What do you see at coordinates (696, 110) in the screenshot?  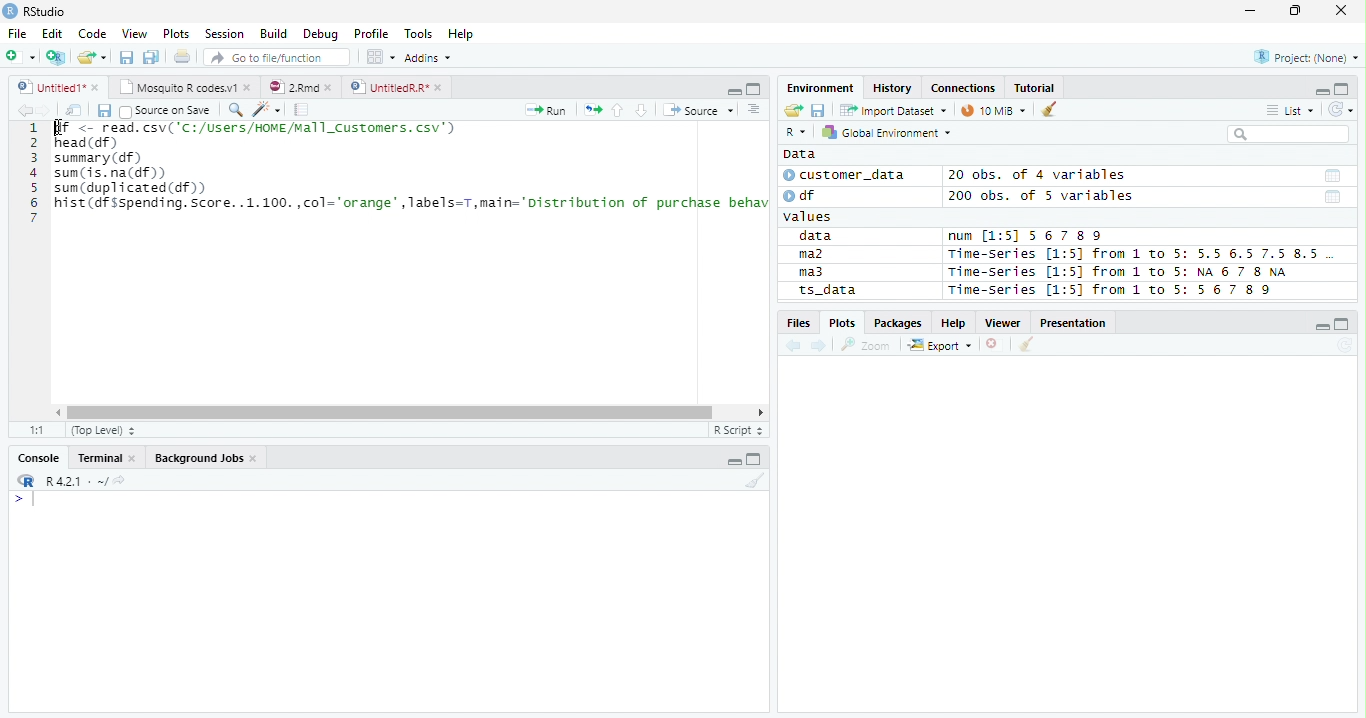 I see `Source` at bounding box center [696, 110].